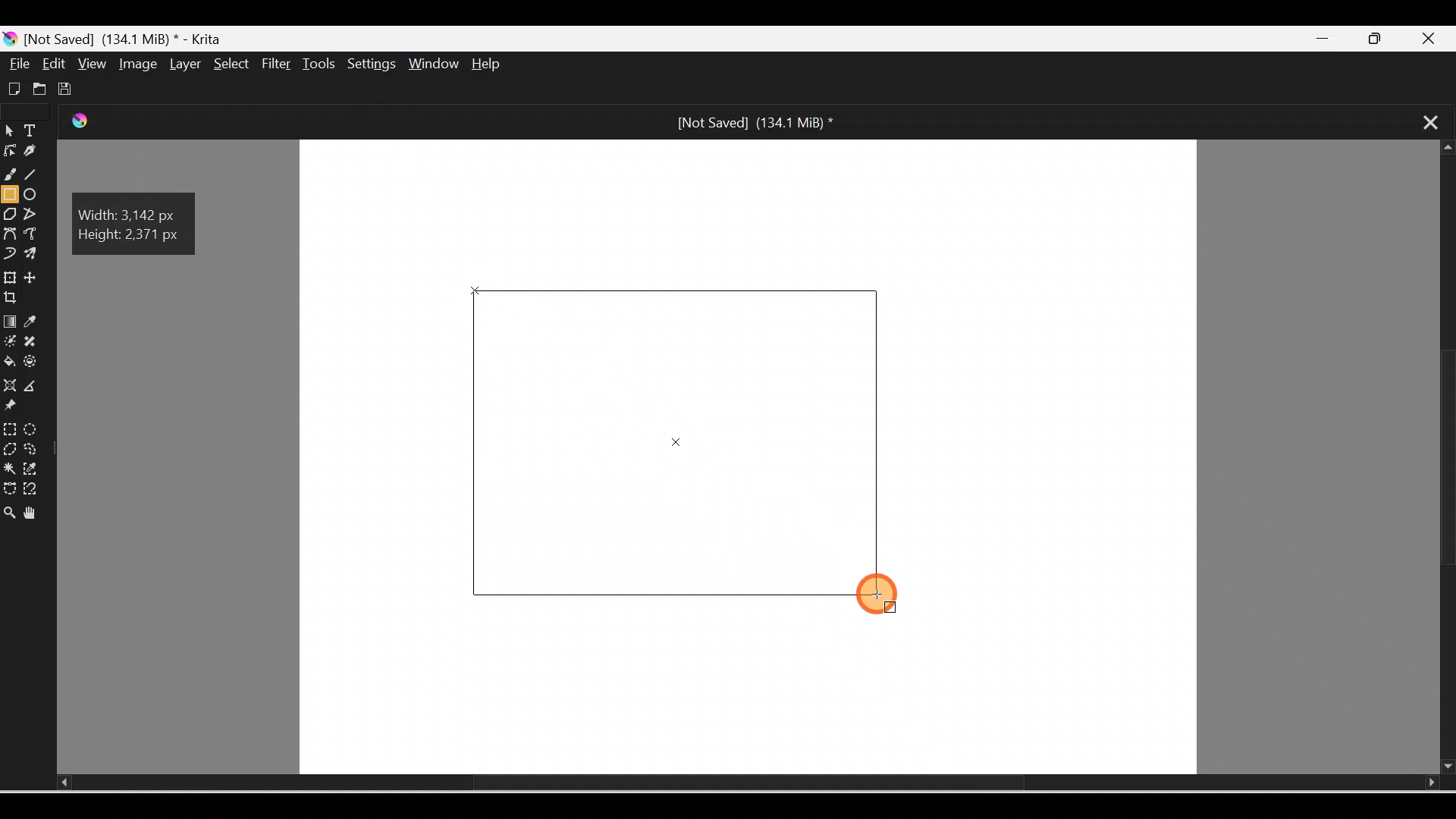  What do you see at coordinates (11, 194) in the screenshot?
I see `Rectangle` at bounding box center [11, 194].